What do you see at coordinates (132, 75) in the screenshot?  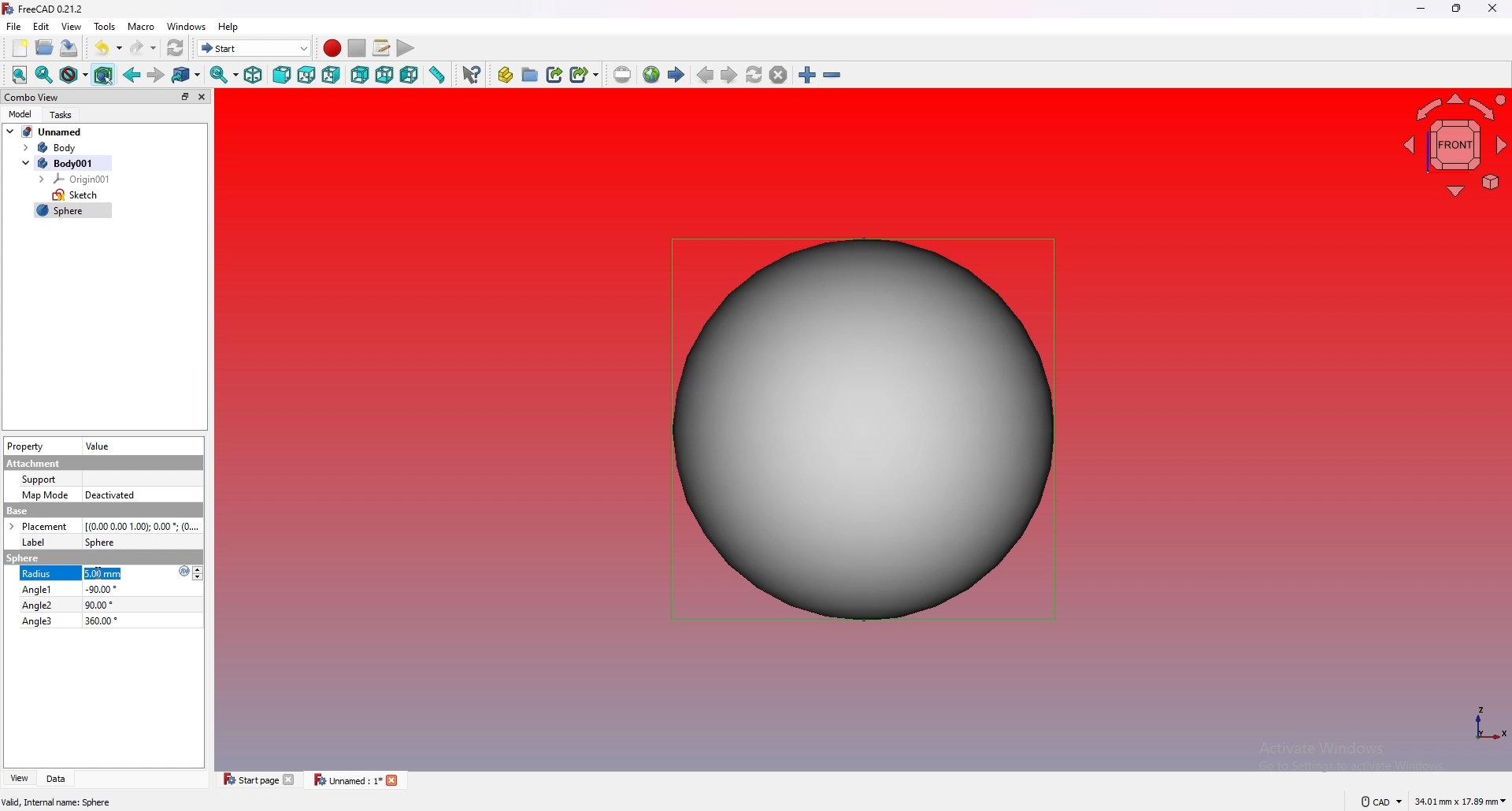 I see `back` at bounding box center [132, 75].